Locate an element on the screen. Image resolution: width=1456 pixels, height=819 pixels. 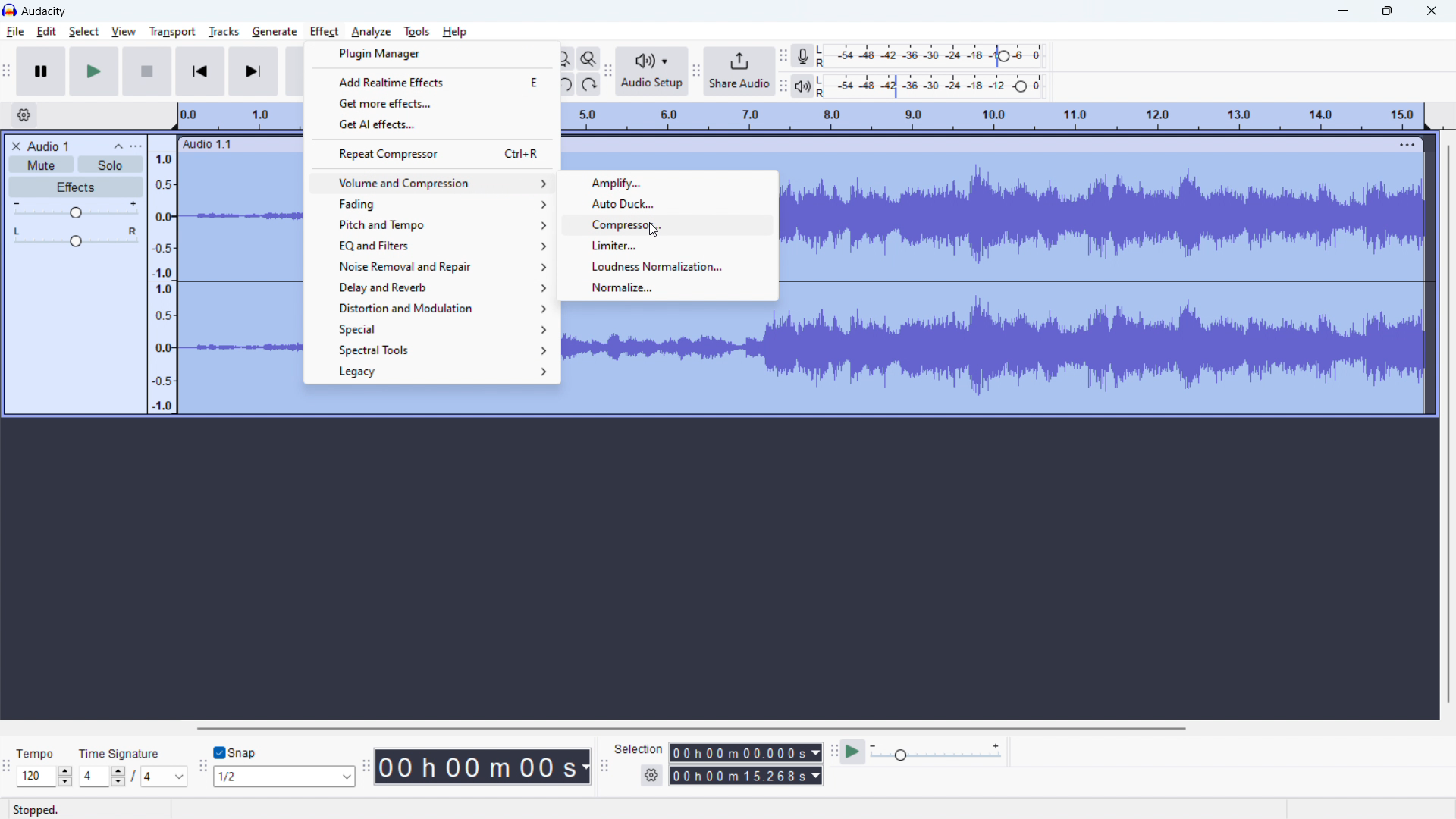
volume is located at coordinates (74, 210).